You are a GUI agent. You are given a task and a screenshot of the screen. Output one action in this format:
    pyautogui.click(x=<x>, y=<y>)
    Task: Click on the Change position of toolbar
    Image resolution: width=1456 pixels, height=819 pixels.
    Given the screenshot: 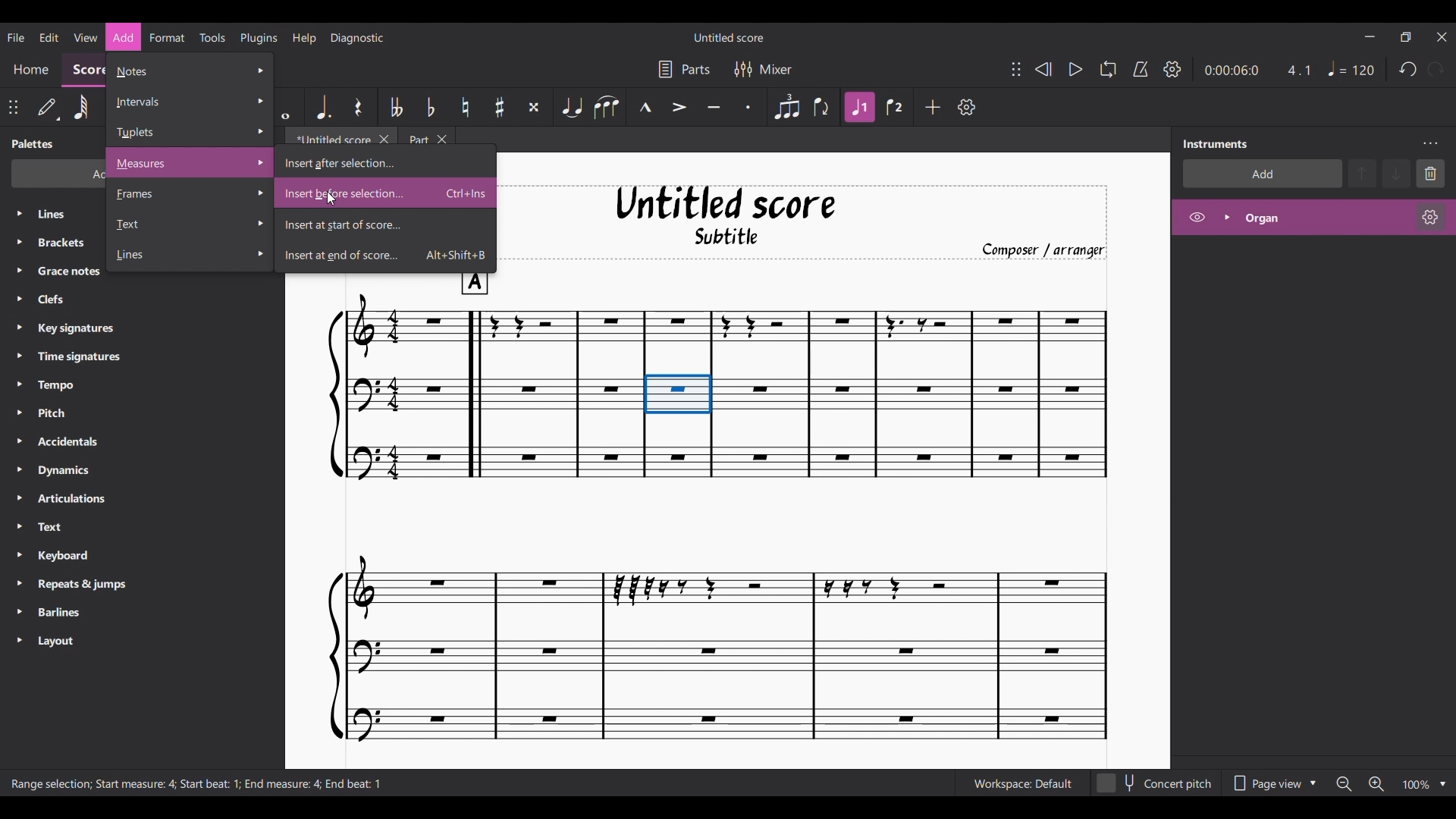 What is the action you would take?
    pyautogui.click(x=1015, y=69)
    